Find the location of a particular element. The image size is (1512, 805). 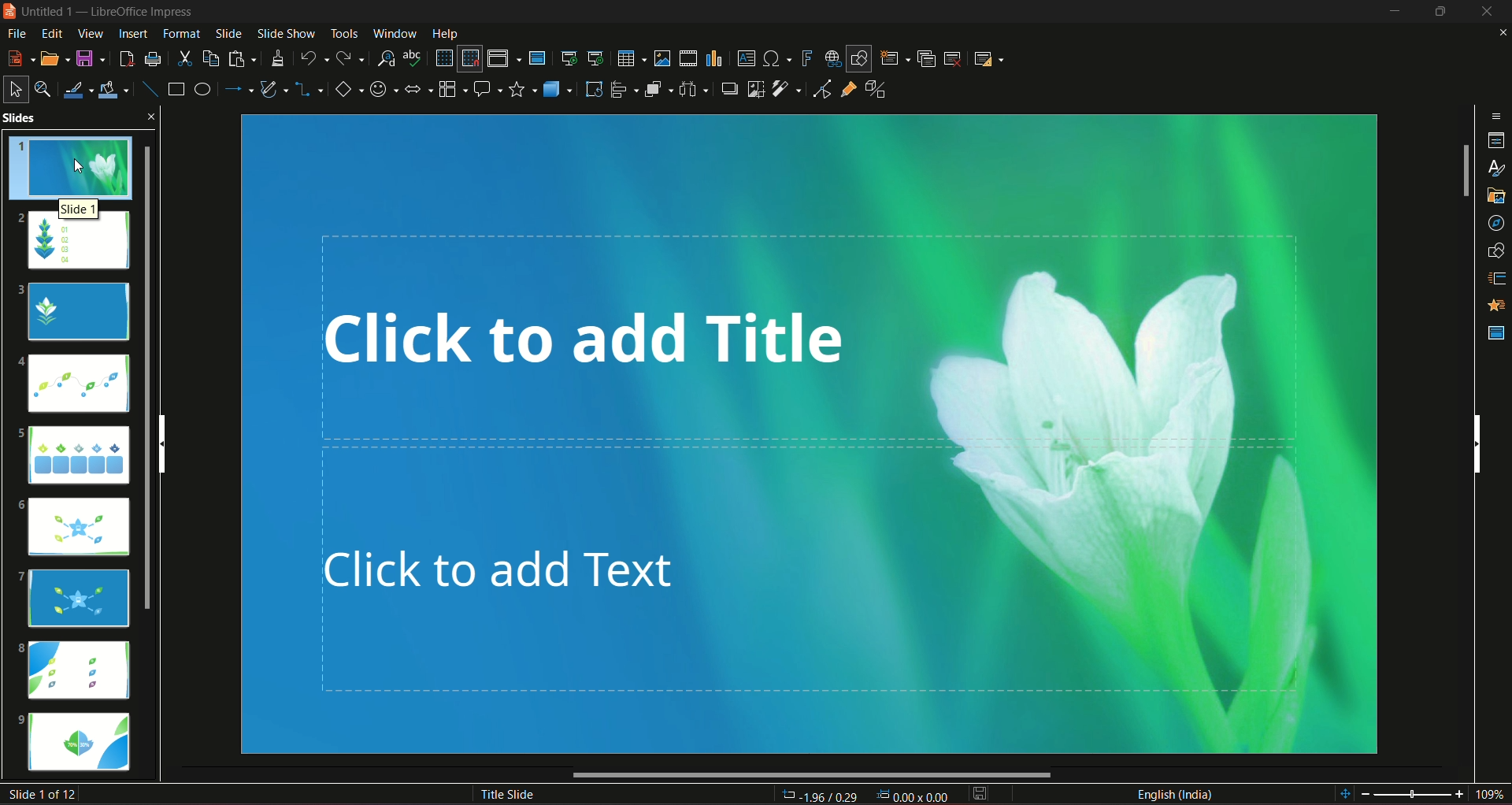

language is located at coordinates (1175, 793).